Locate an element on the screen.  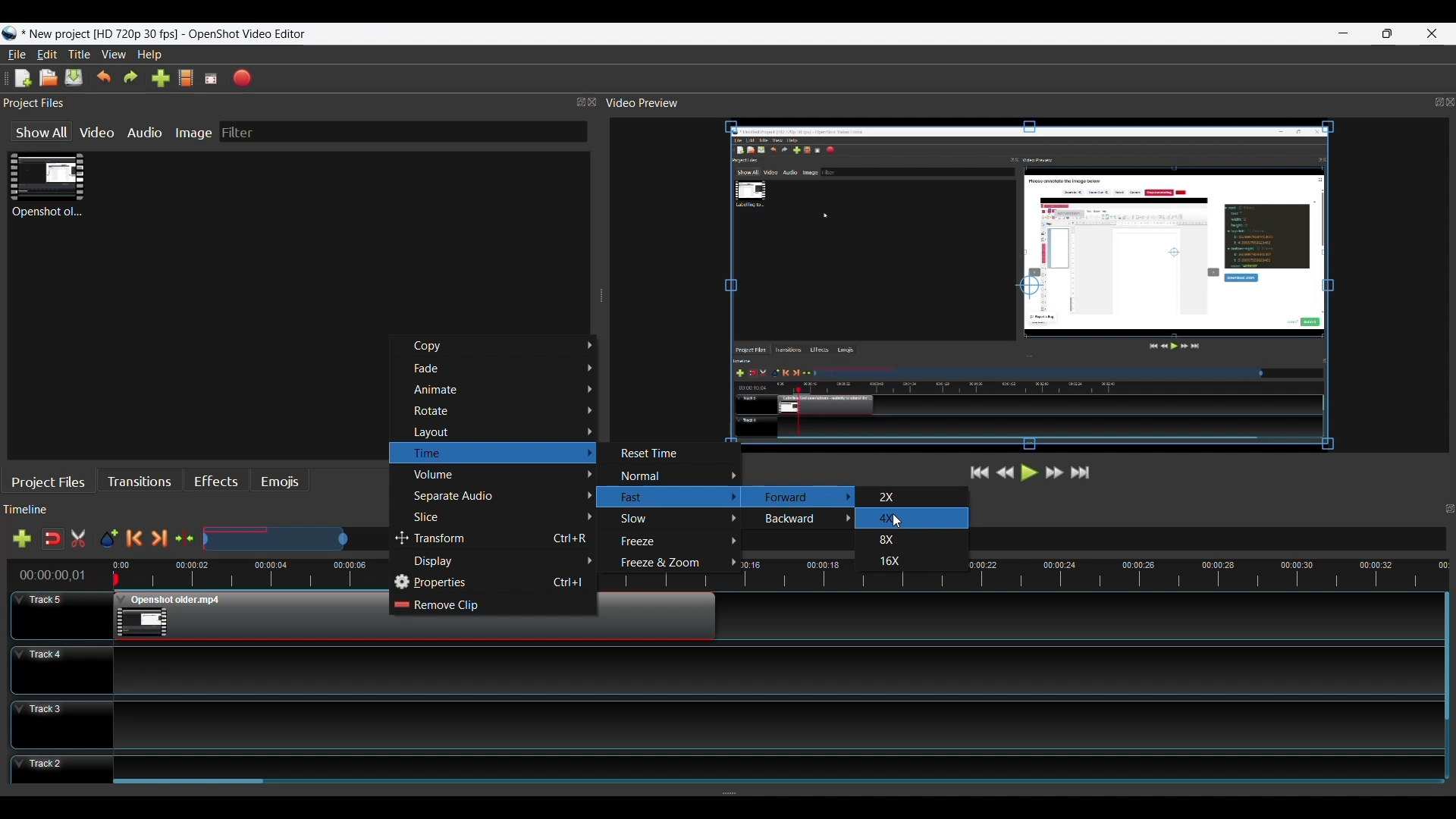
Preview Window is located at coordinates (1032, 288).